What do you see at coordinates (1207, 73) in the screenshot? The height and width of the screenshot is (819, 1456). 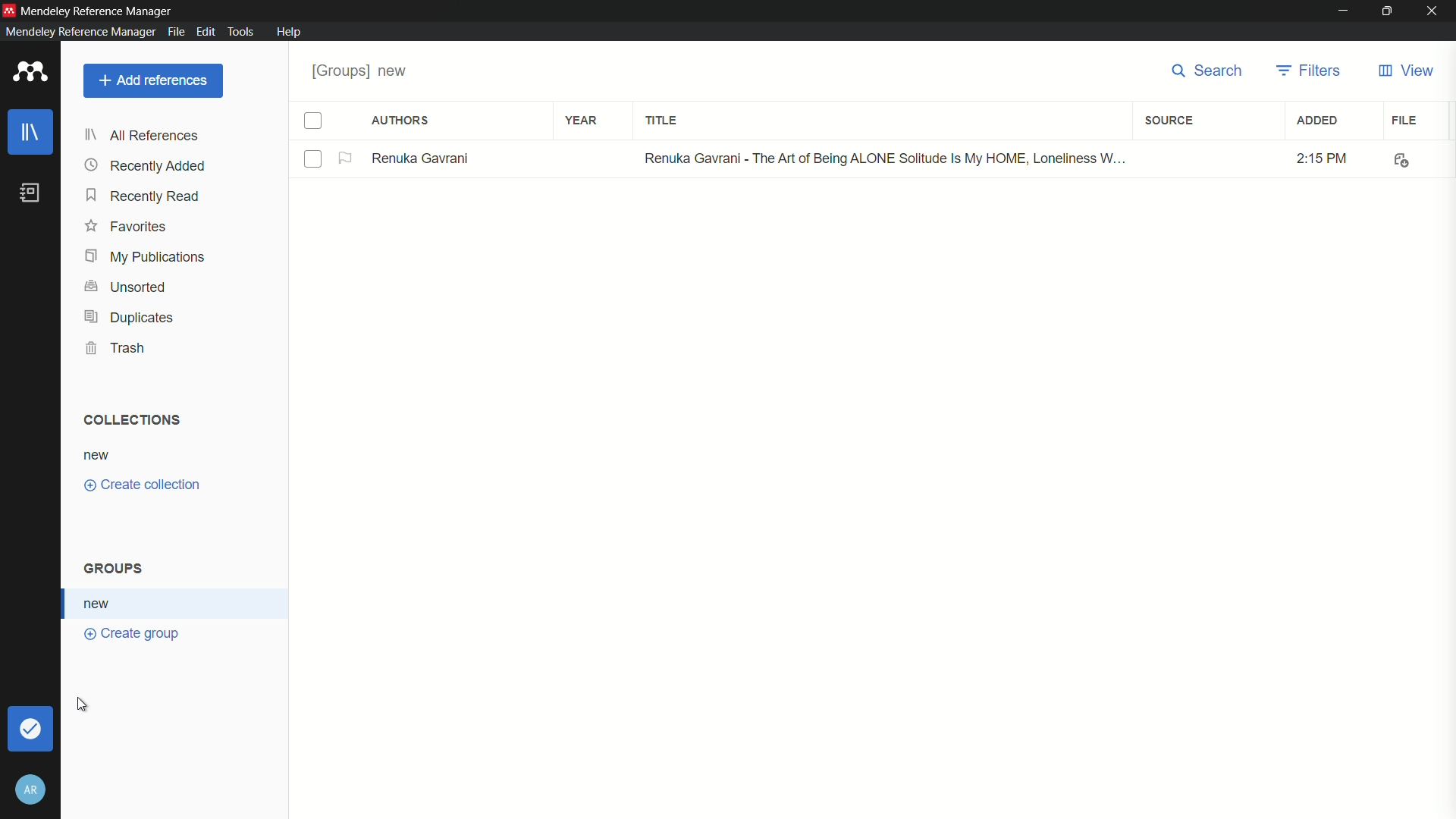 I see `search` at bounding box center [1207, 73].